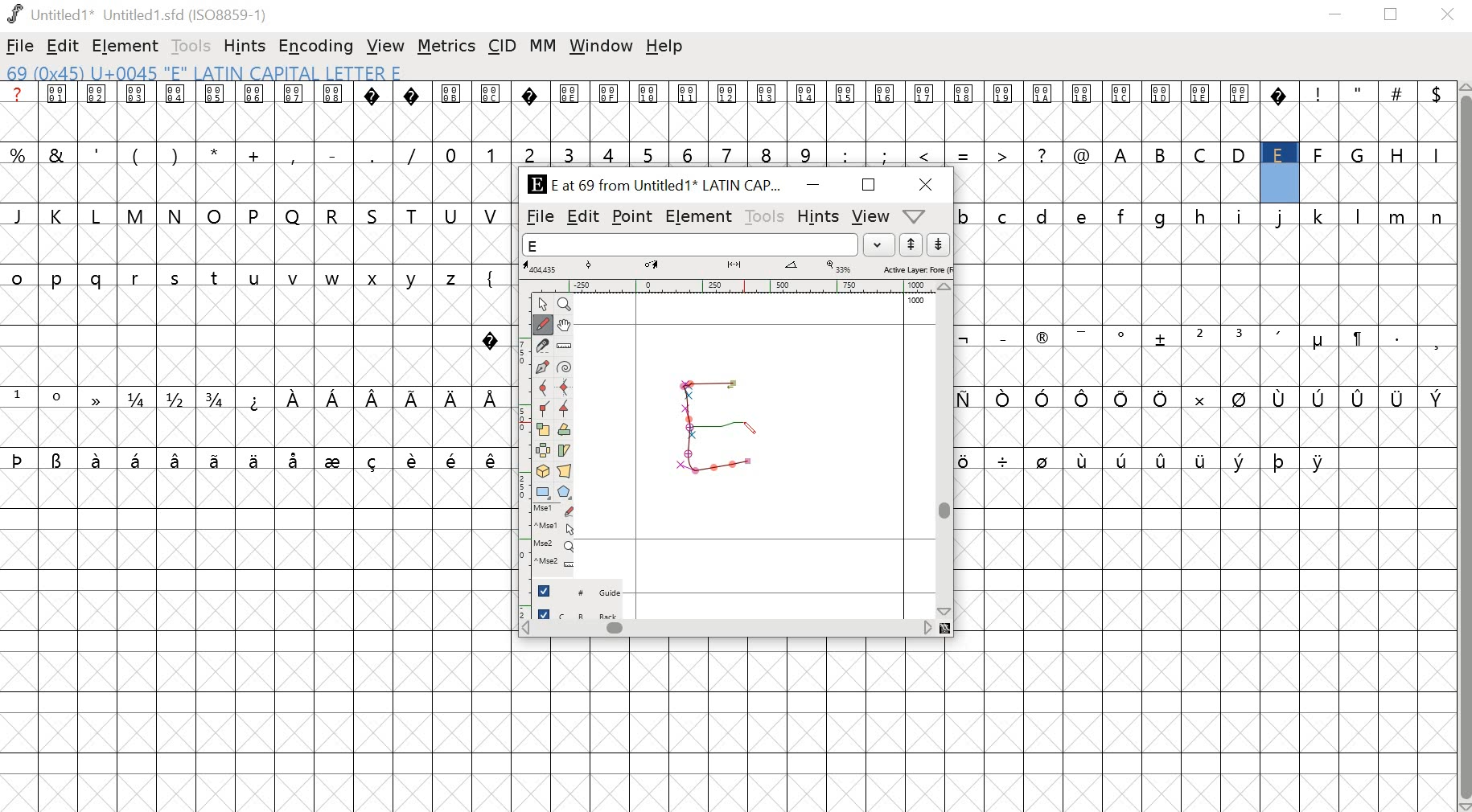 The image size is (1472, 812). What do you see at coordinates (135, 14) in the screenshot?
I see `Untitled1 Untitled 1.sfd (IS08859-1)` at bounding box center [135, 14].